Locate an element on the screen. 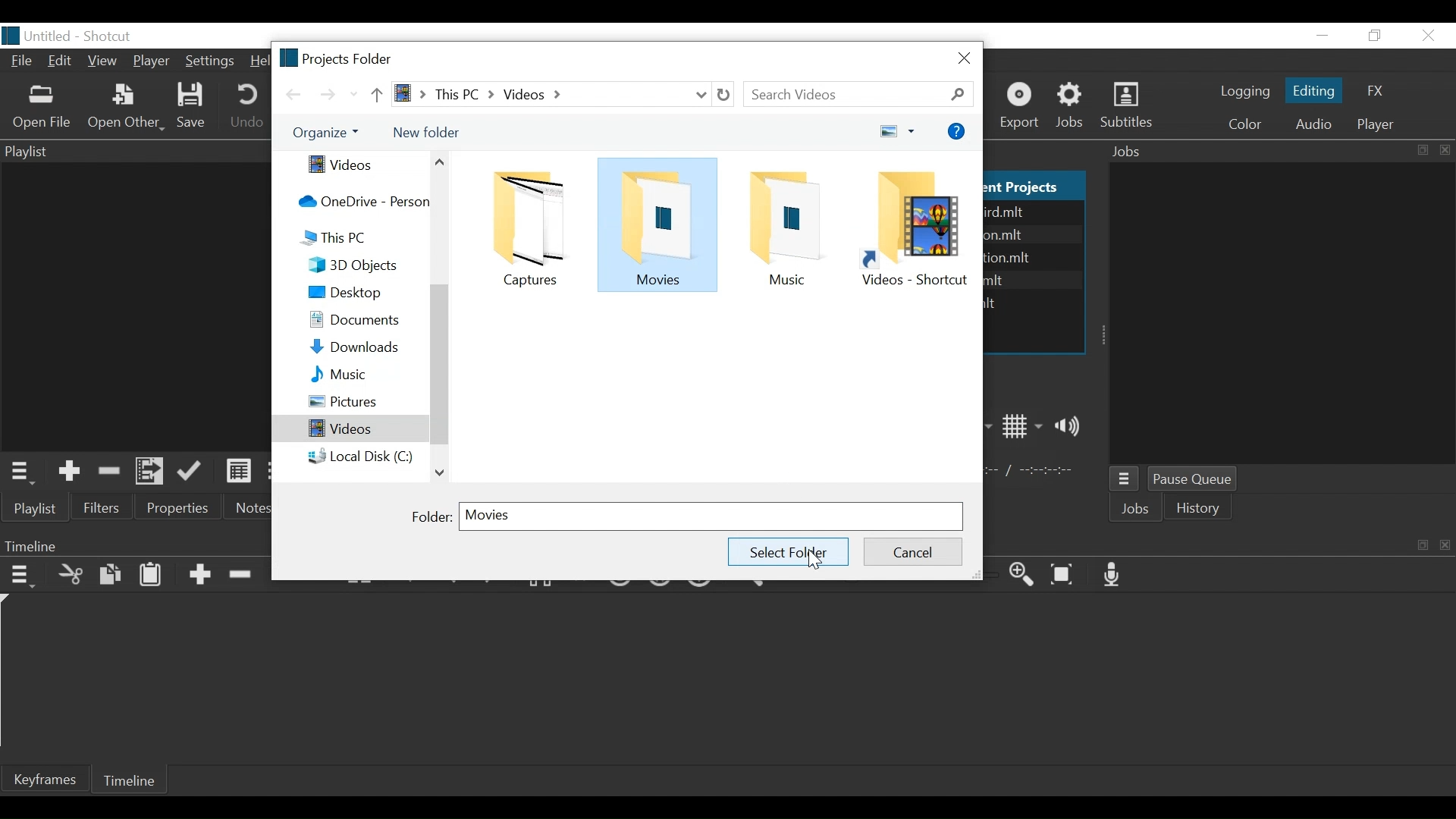 The height and width of the screenshot is (819, 1456). Help is located at coordinates (258, 61).